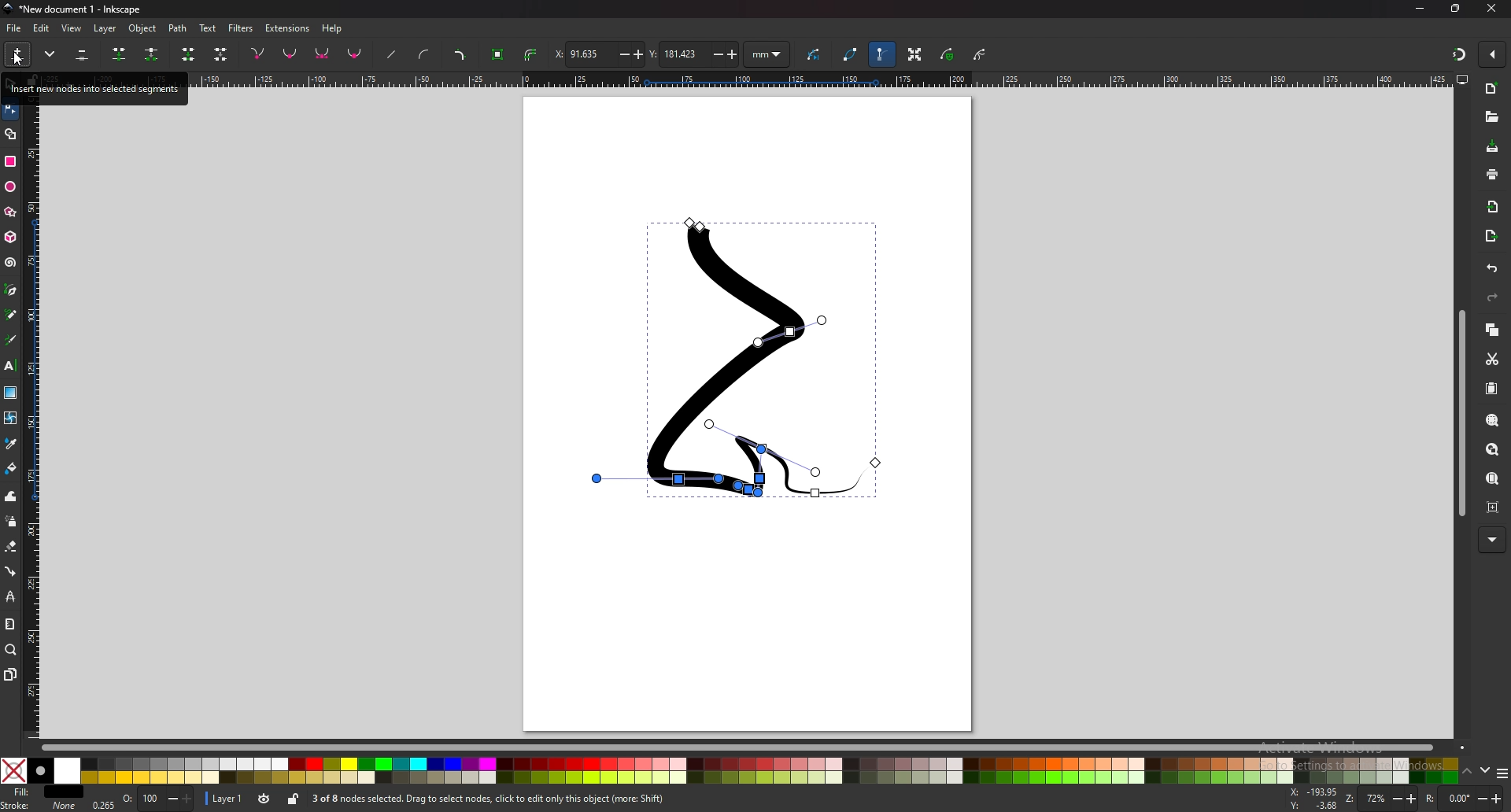 The width and height of the screenshot is (1511, 812). What do you see at coordinates (980, 54) in the screenshot?
I see `clipping path` at bounding box center [980, 54].